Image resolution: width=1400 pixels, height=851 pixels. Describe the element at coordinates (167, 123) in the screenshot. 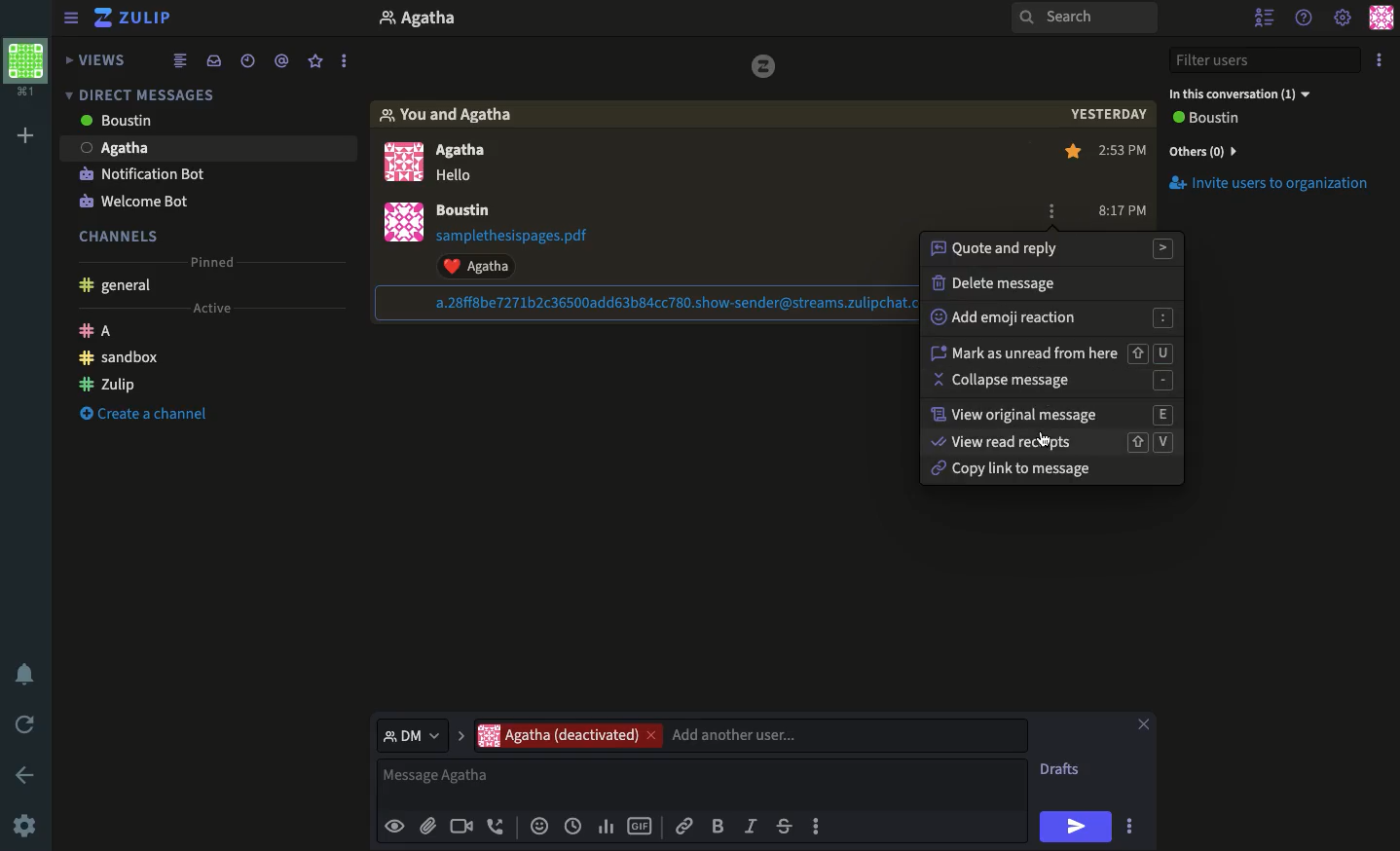

I see `Users` at that location.